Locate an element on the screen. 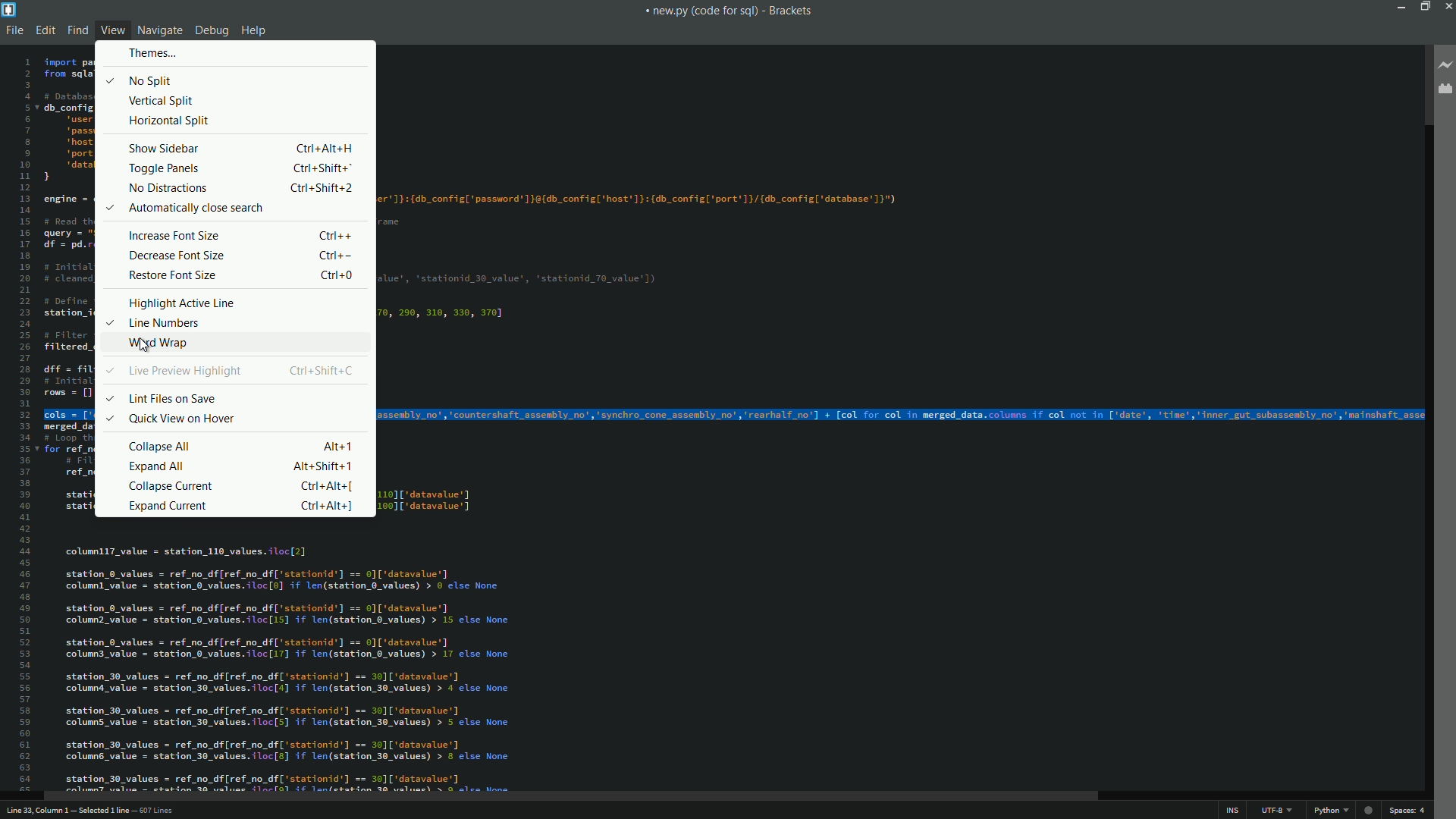  navigate menu is located at coordinates (160, 30).